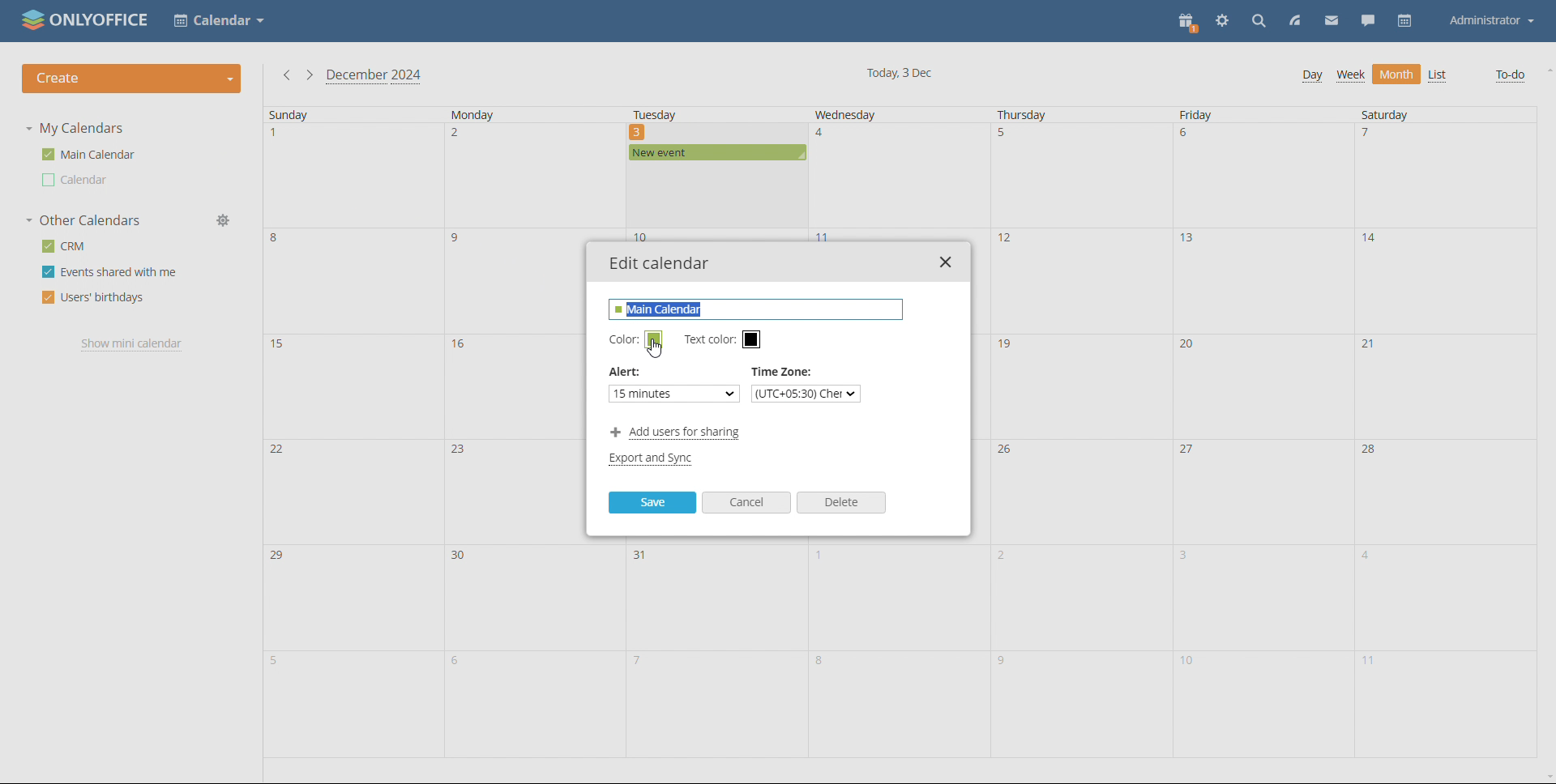  I want to click on existing event, so click(717, 153).